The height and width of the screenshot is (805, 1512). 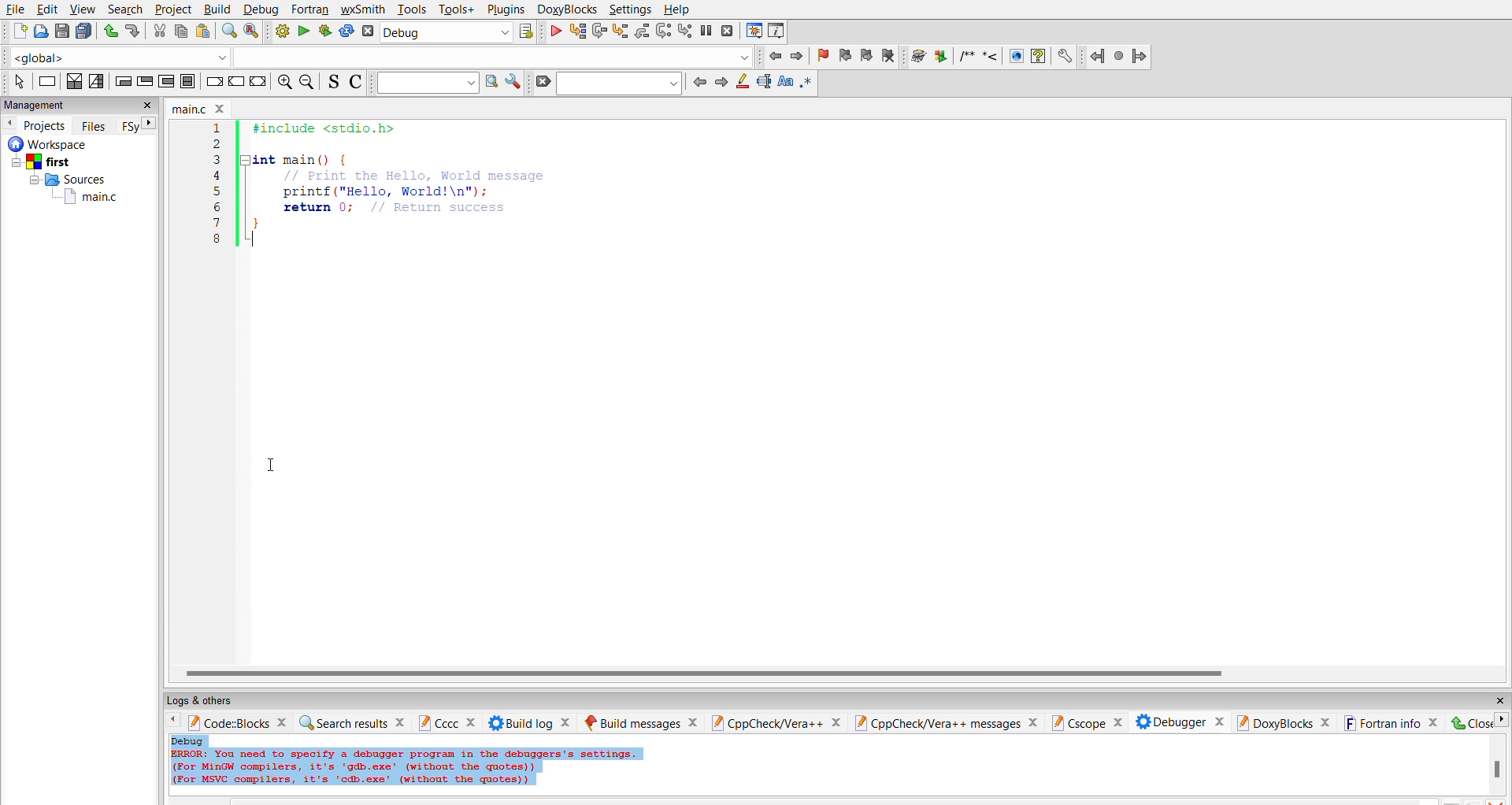 I want to click on code completion compiler, so click(x=377, y=57).